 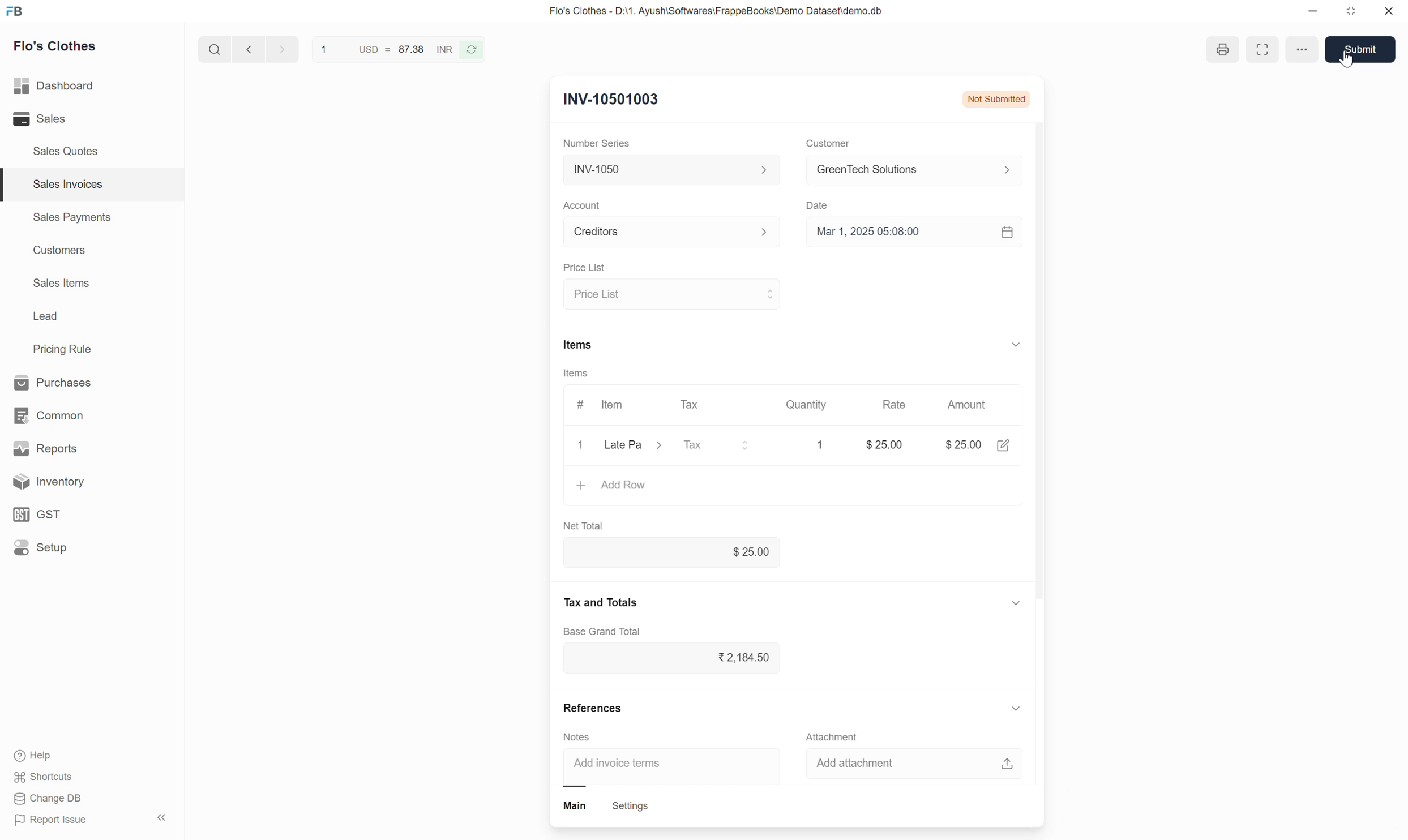 What do you see at coordinates (896, 406) in the screenshot?
I see `Rate` at bounding box center [896, 406].